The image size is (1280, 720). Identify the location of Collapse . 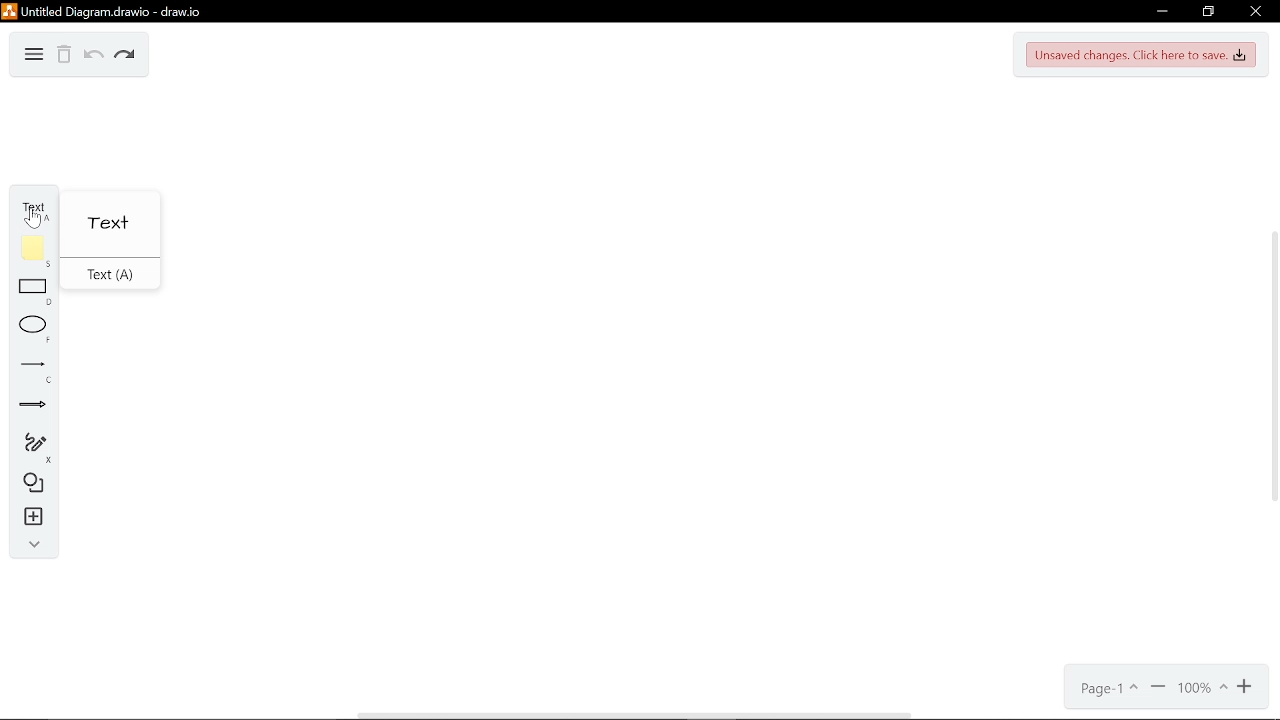
(30, 547).